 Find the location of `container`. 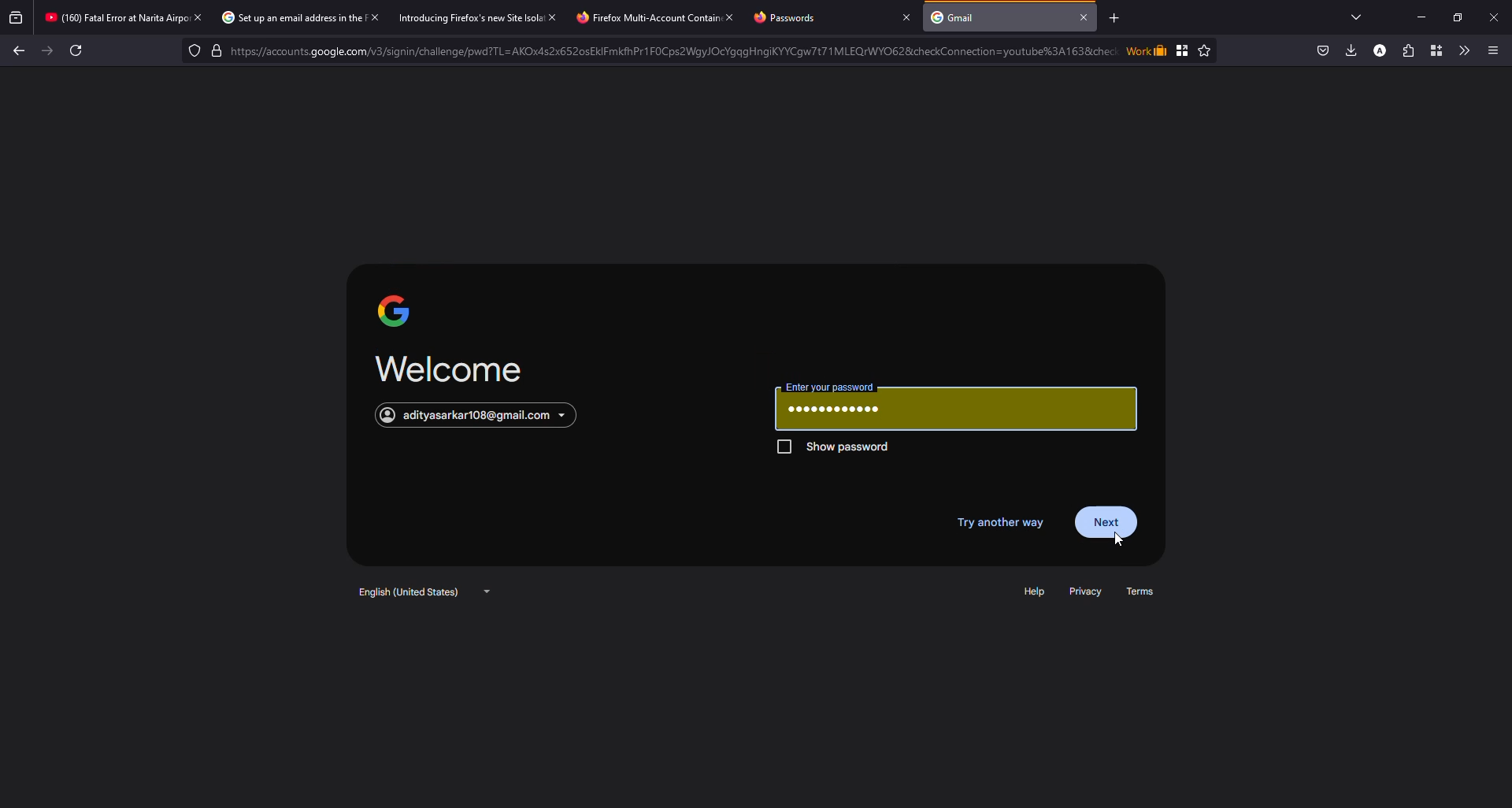

container is located at coordinates (1433, 50).